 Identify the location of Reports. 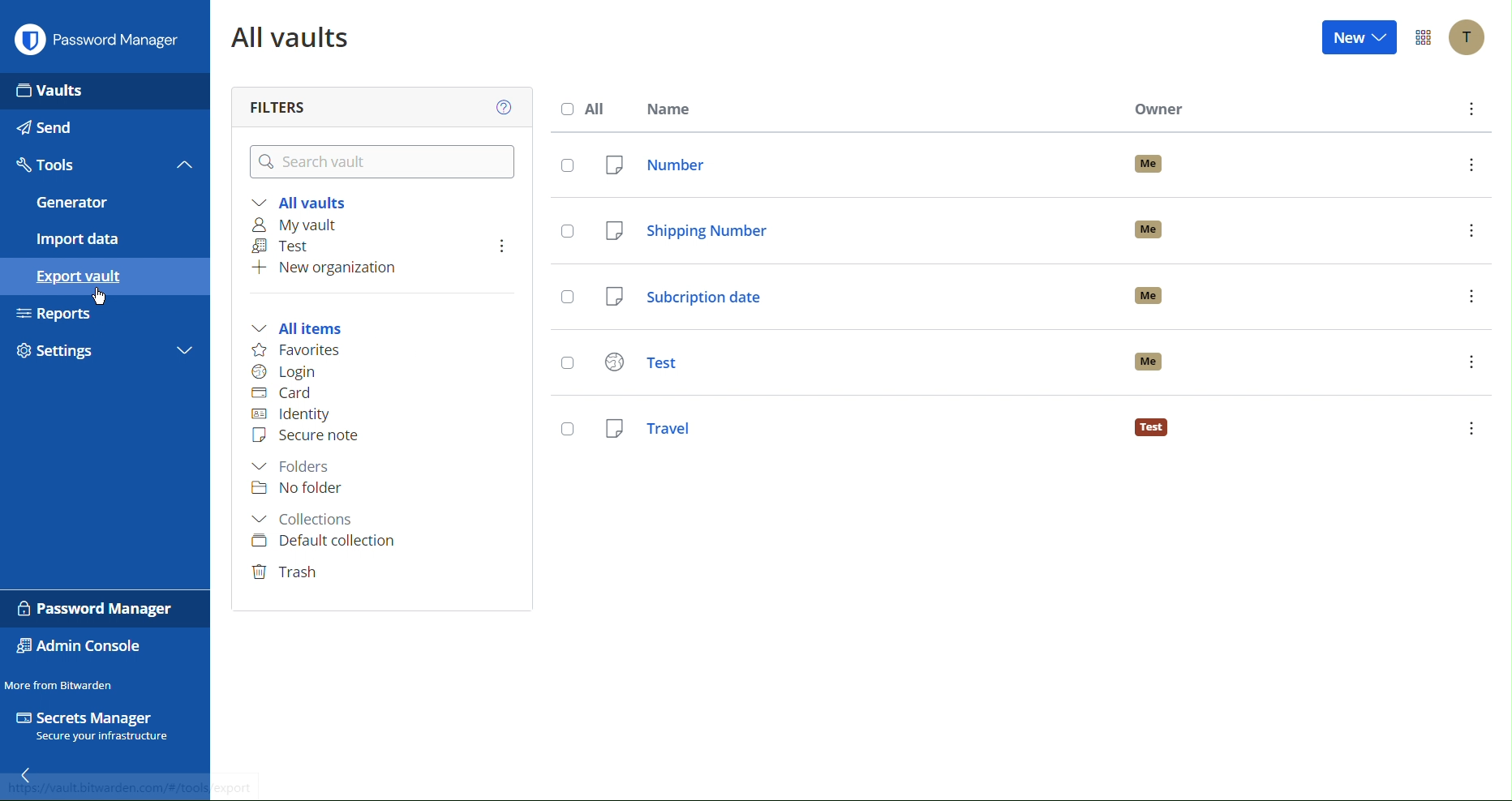
(61, 311).